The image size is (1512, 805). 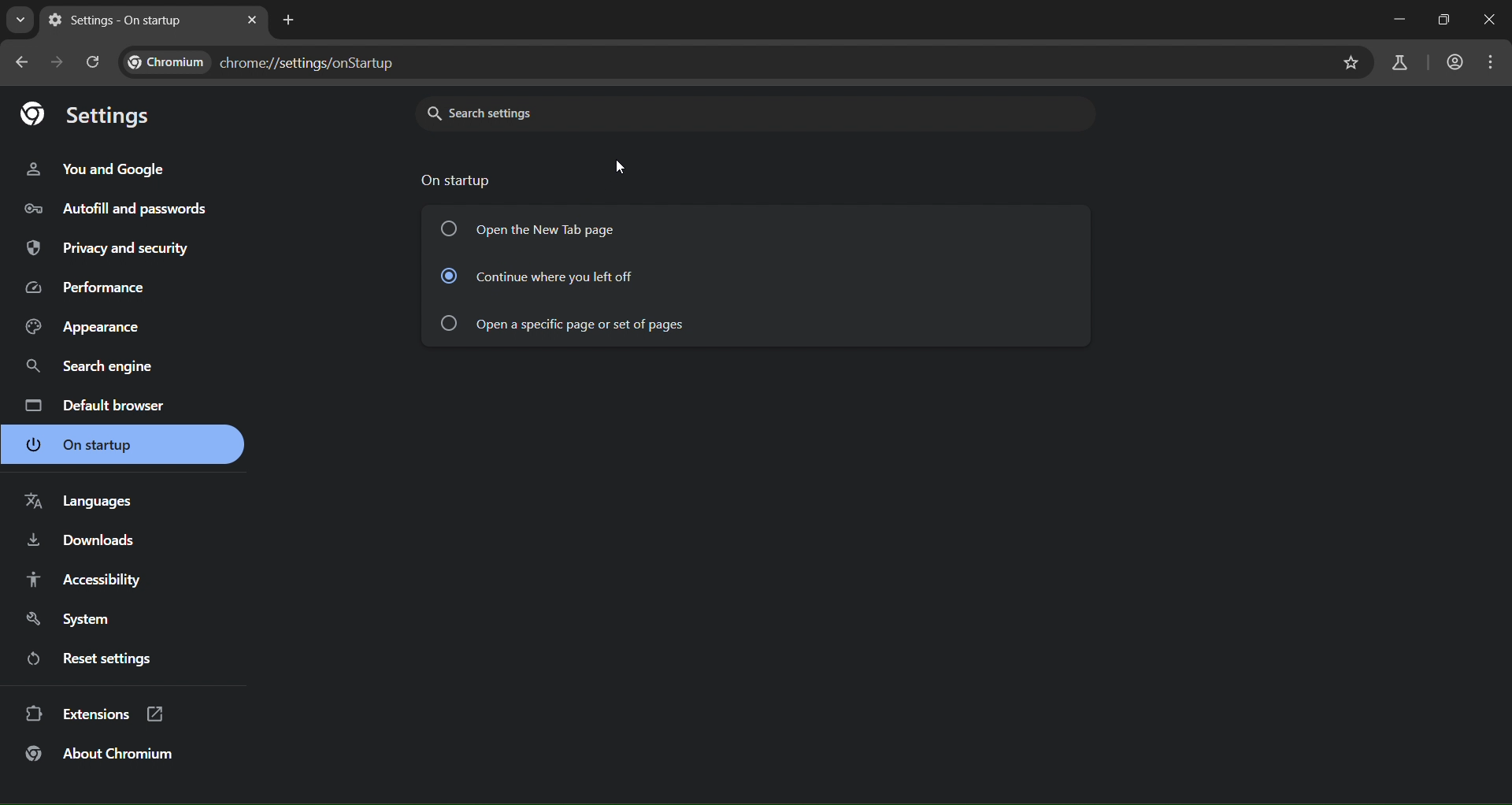 What do you see at coordinates (1398, 19) in the screenshot?
I see `minimize` at bounding box center [1398, 19].